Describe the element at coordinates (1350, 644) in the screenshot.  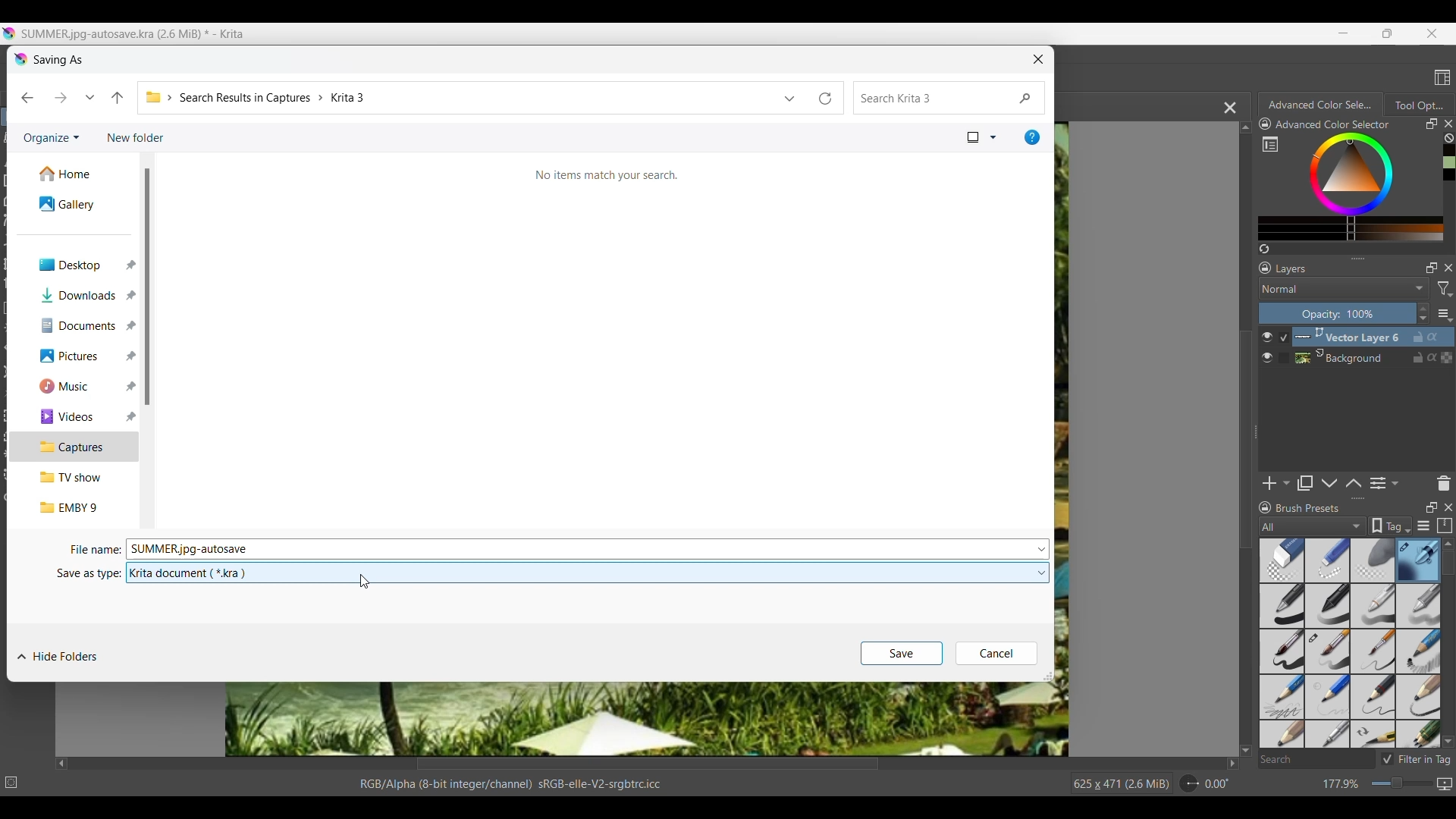
I see `Brush presets with current selection highlighted` at that location.